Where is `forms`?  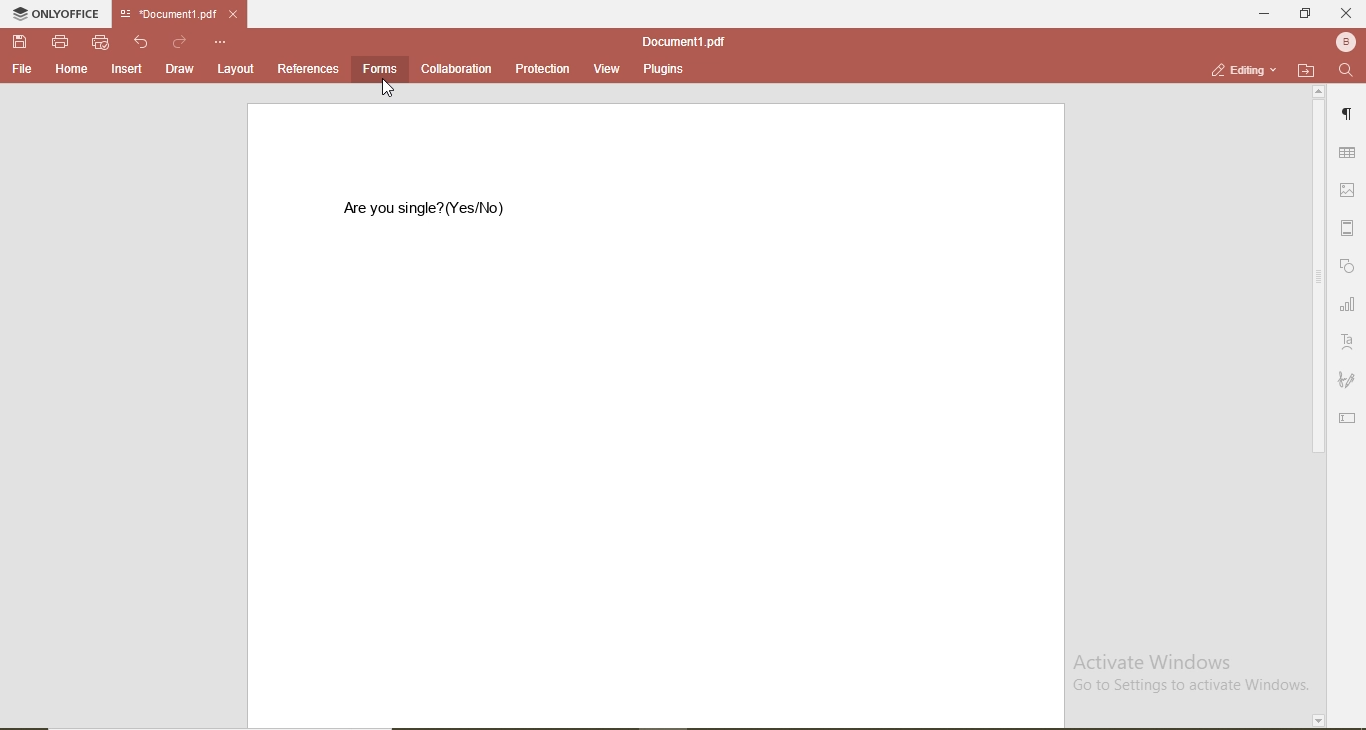
forms is located at coordinates (379, 69).